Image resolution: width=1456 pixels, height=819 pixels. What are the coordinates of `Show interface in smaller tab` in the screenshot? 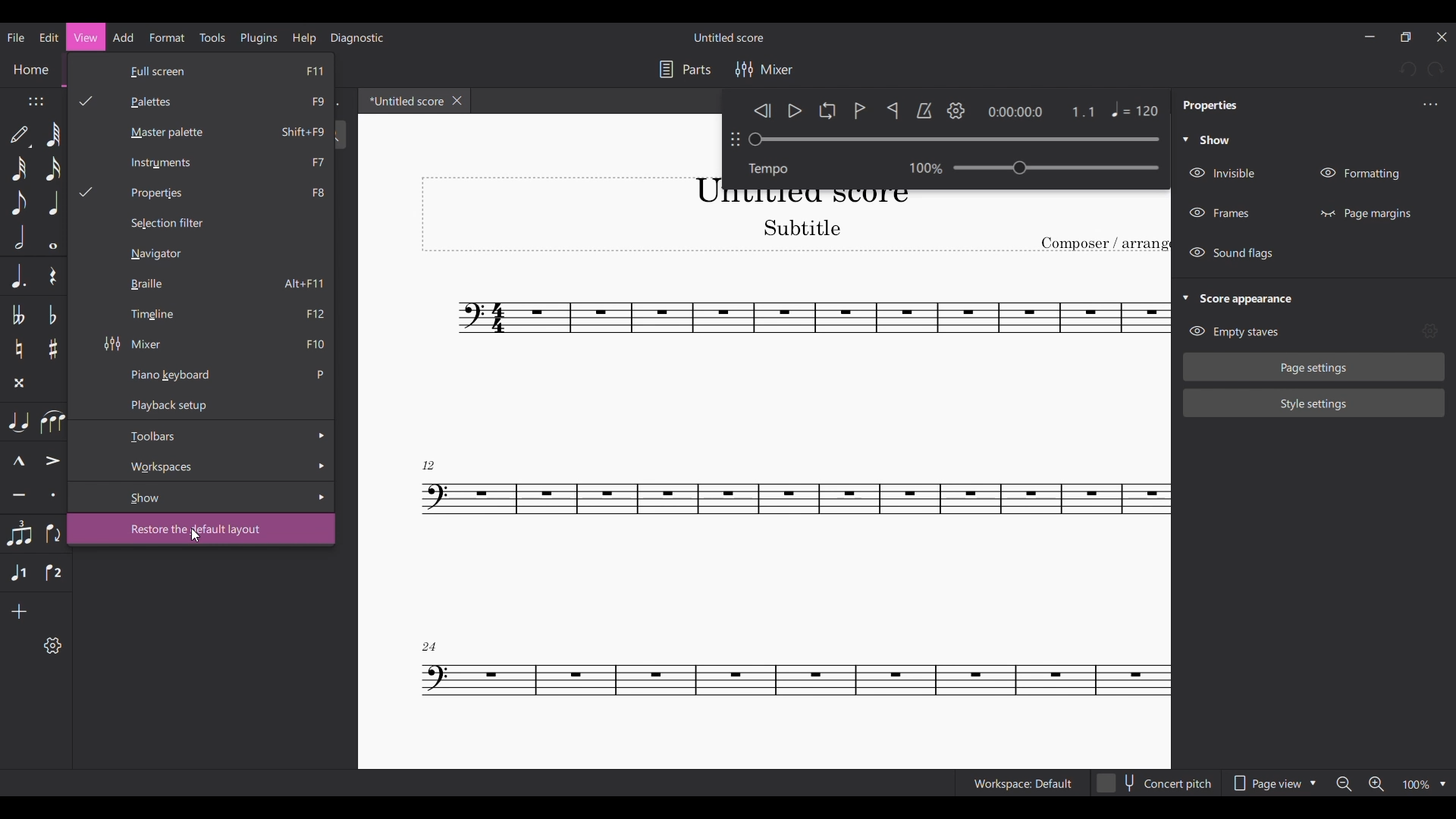 It's located at (1405, 36).